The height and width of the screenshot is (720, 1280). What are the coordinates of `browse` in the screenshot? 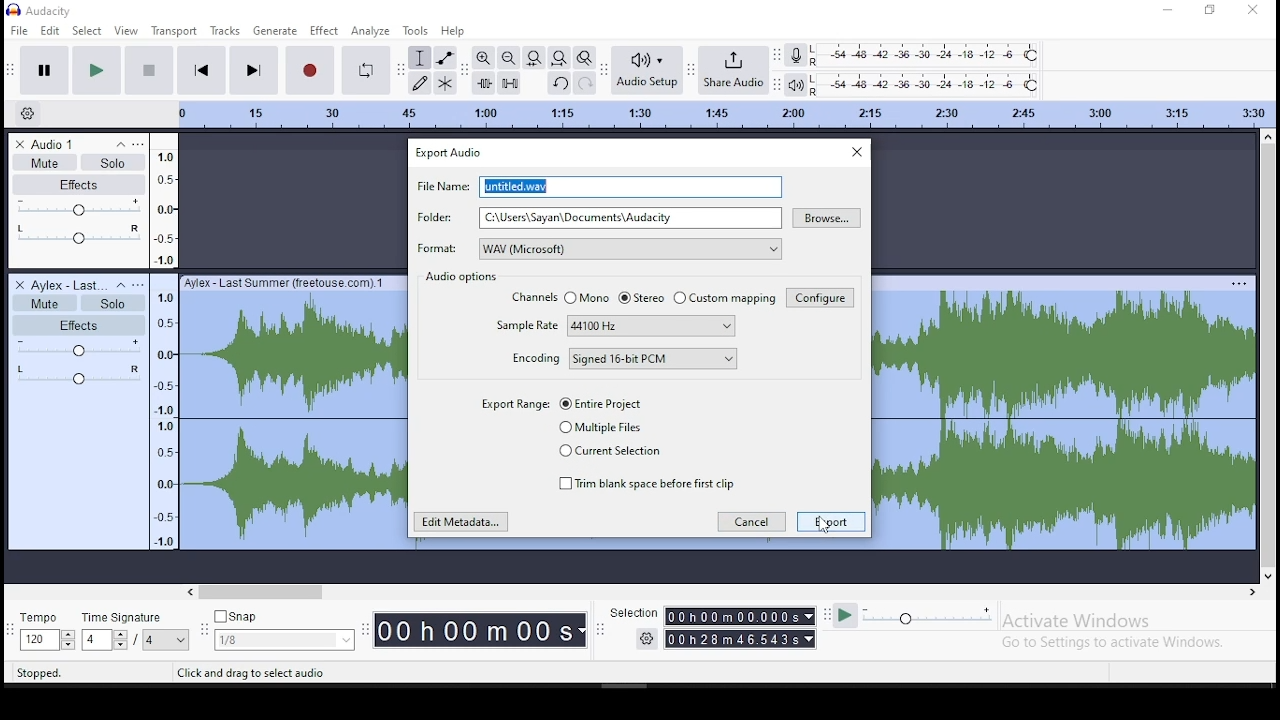 It's located at (828, 217).